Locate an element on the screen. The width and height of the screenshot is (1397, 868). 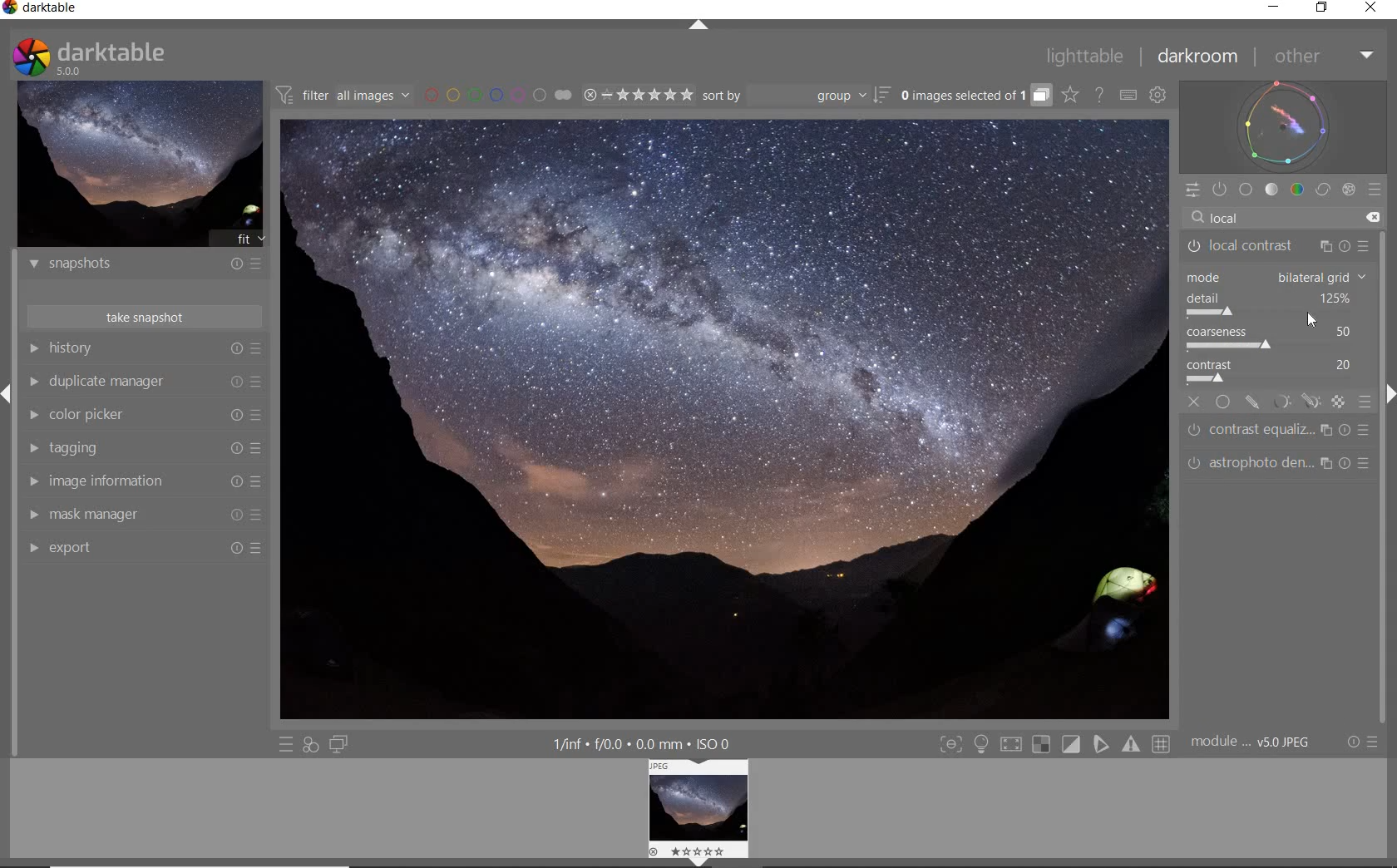
image information is located at coordinates (120, 481).